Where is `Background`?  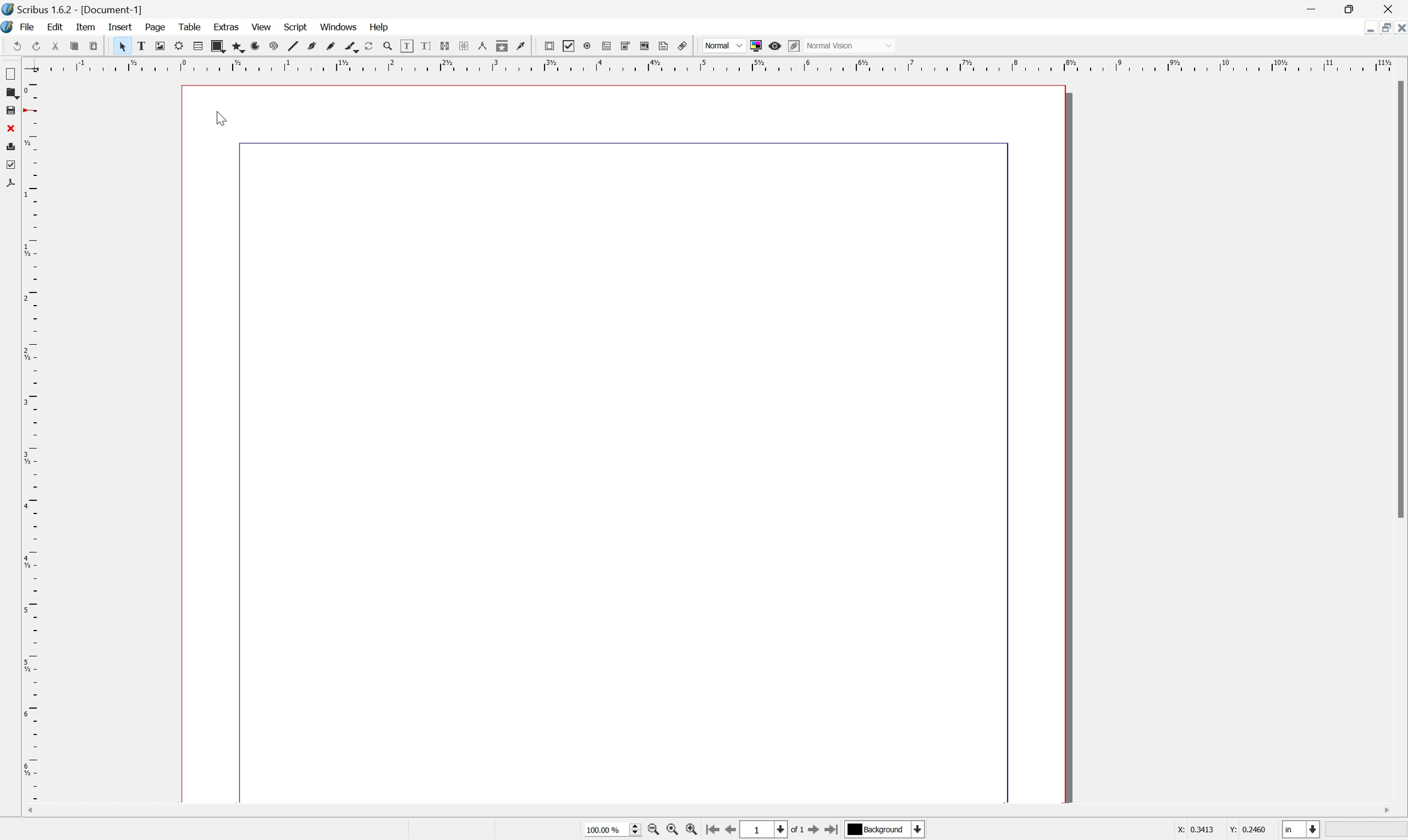 Background is located at coordinates (884, 830).